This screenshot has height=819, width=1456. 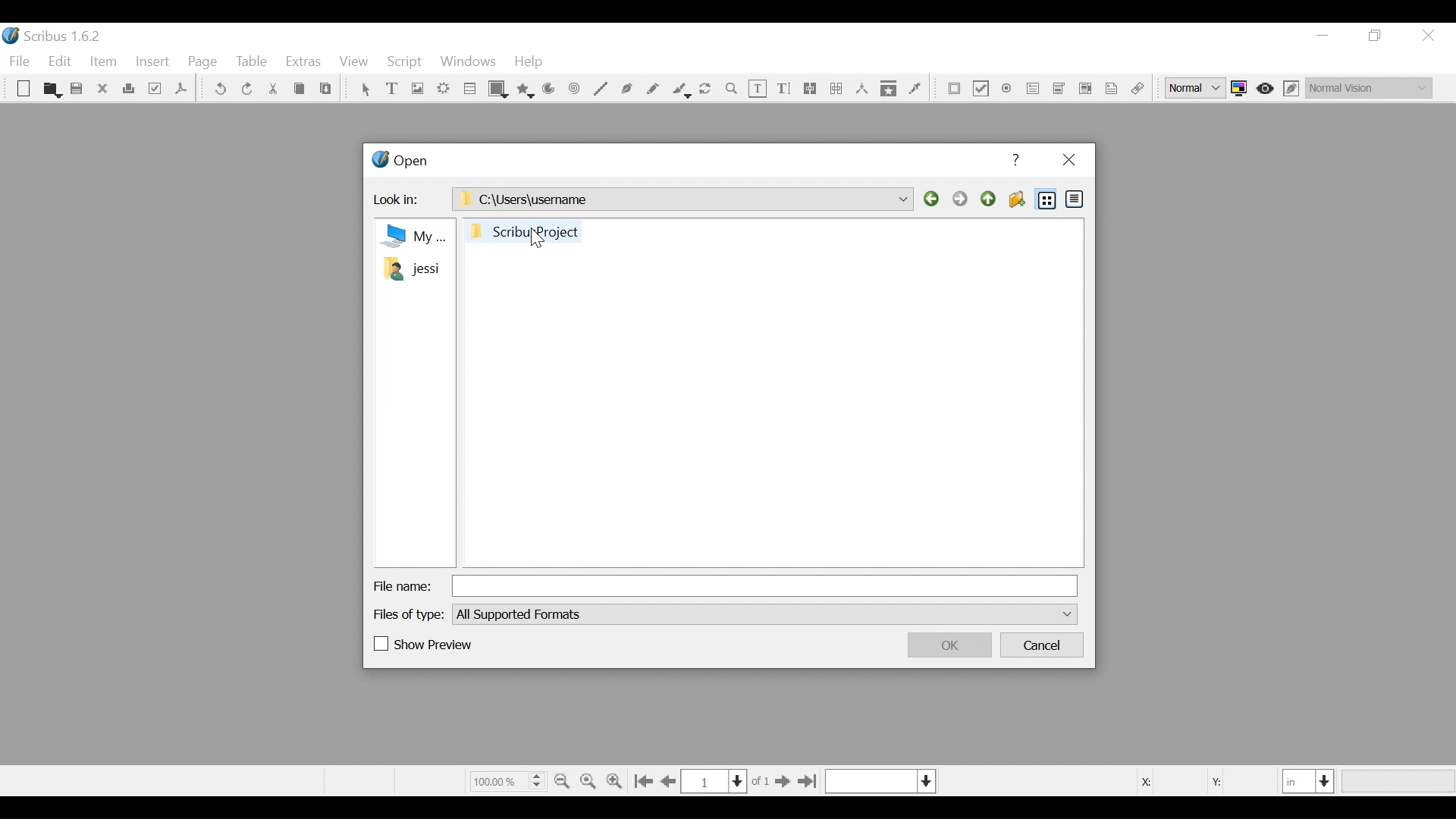 What do you see at coordinates (1427, 36) in the screenshot?
I see `Close` at bounding box center [1427, 36].